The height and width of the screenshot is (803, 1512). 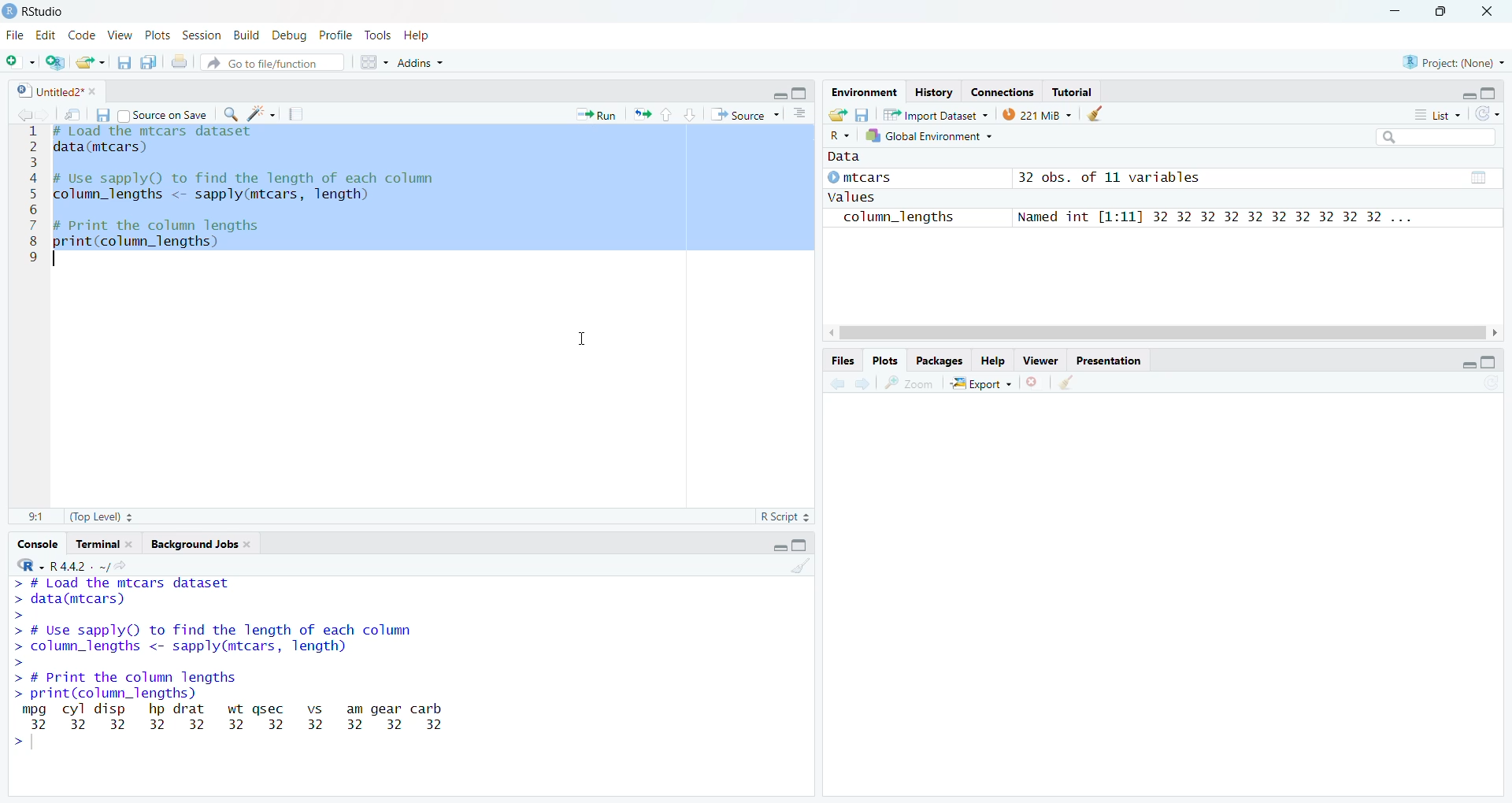 What do you see at coordinates (1490, 13) in the screenshot?
I see `Close` at bounding box center [1490, 13].